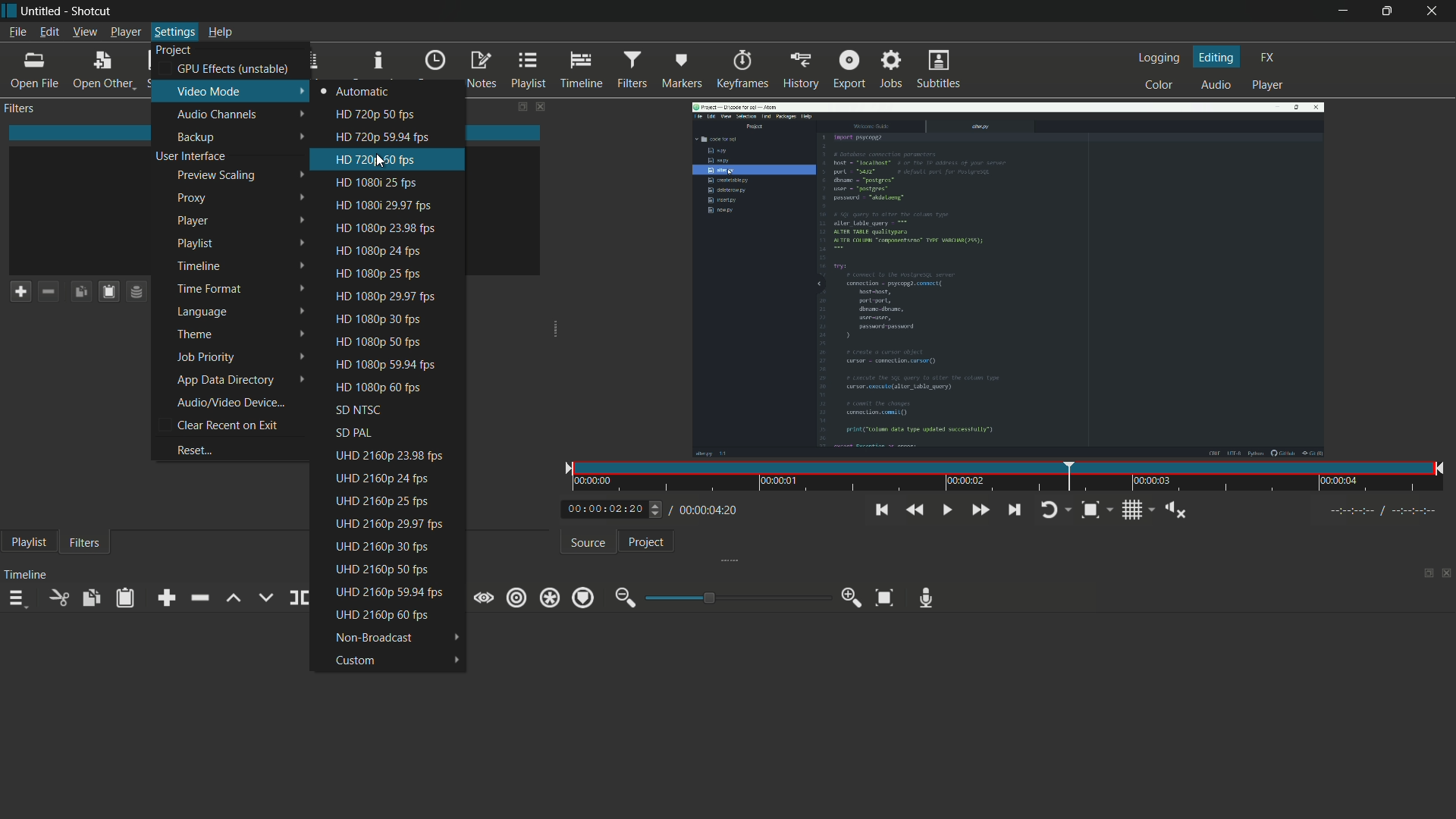 This screenshot has width=1456, height=819. What do you see at coordinates (93, 11) in the screenshot?
I see `app name` at bounding box center [93, 11].